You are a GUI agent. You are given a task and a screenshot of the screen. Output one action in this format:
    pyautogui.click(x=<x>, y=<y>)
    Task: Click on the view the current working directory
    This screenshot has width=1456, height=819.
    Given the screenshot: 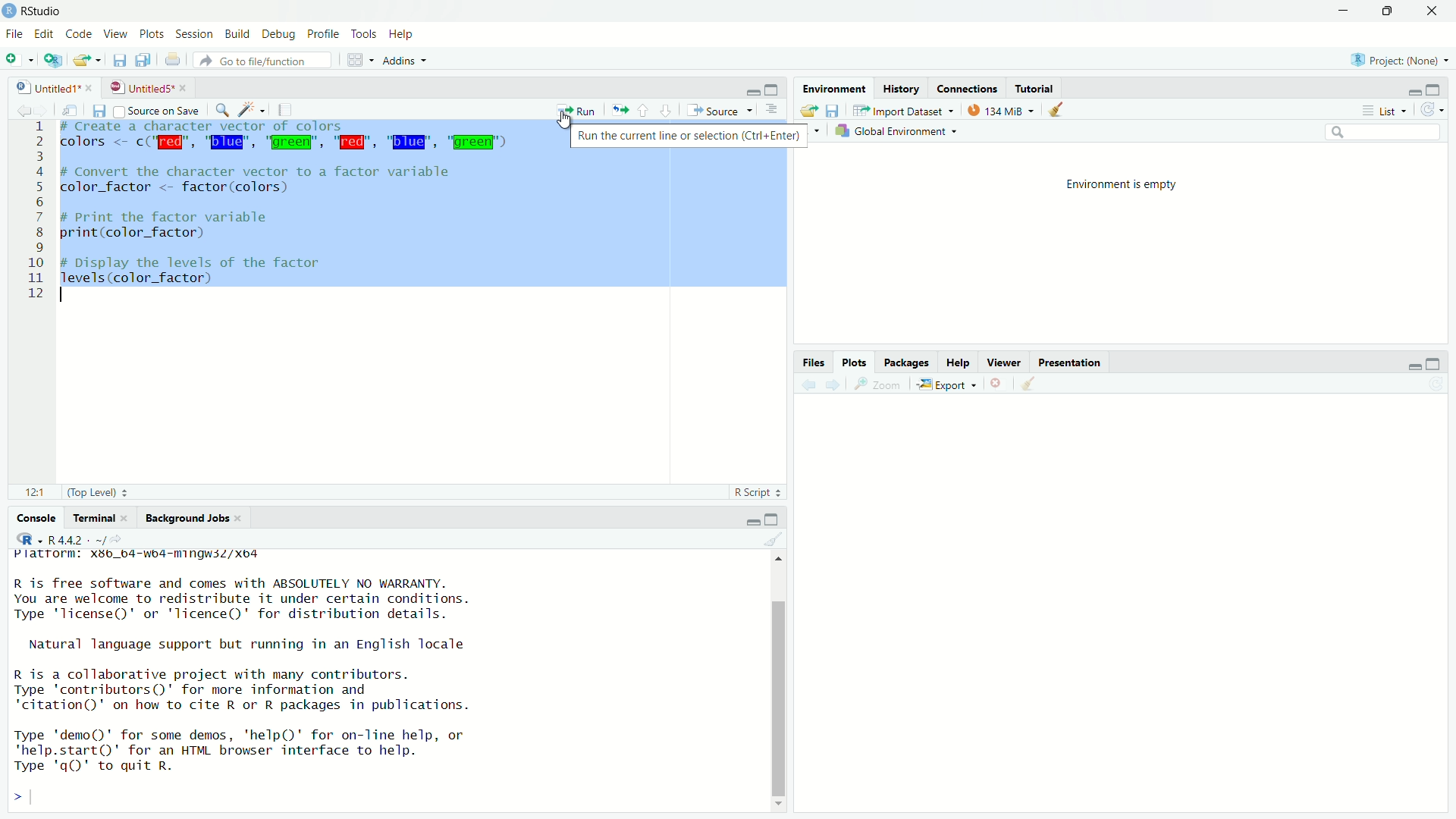 What is the action you would take?
    pyautogui.click(x=123, y=541)
    